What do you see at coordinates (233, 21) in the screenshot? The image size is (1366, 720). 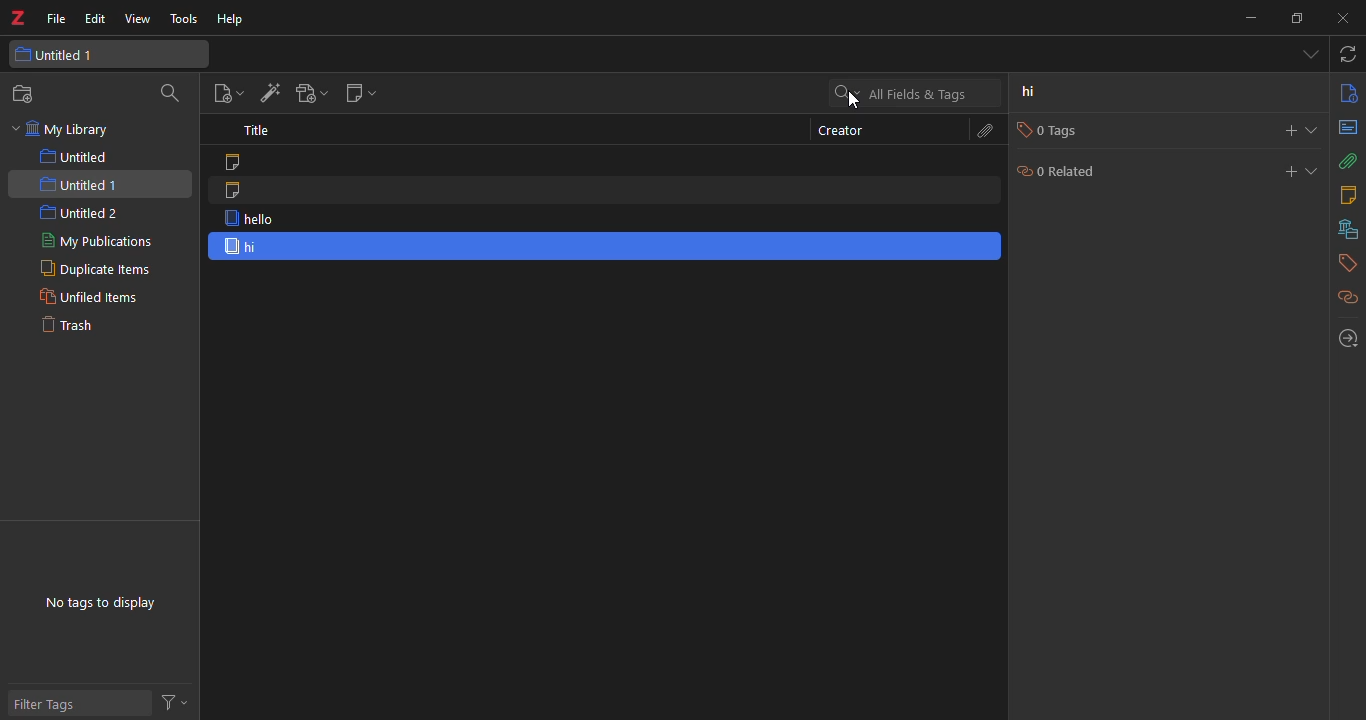 I see `help` at bounding box center [233, 21].